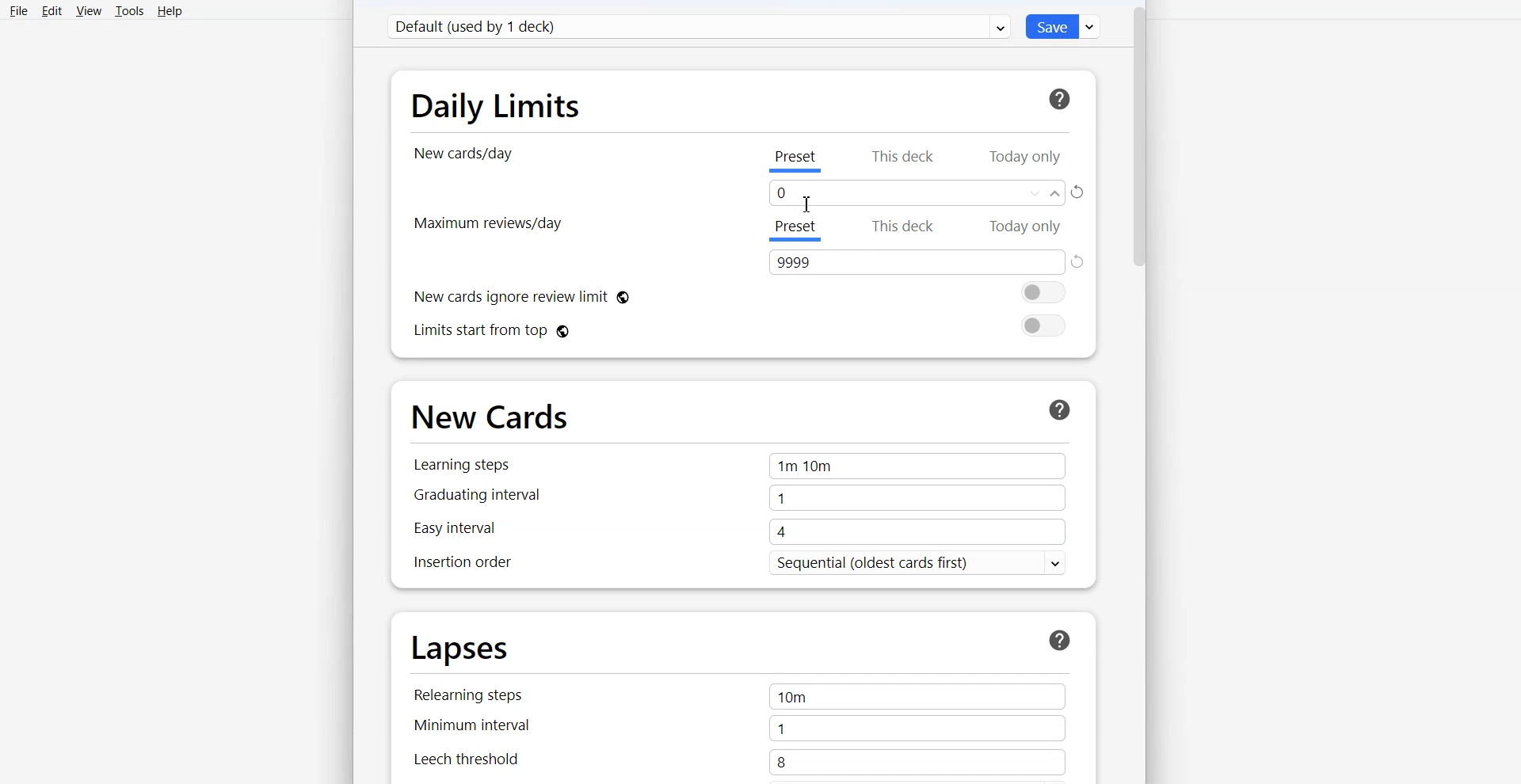 This screenshot has height=784, width=1521. I want to click on Inspection order, so click(483, 566).